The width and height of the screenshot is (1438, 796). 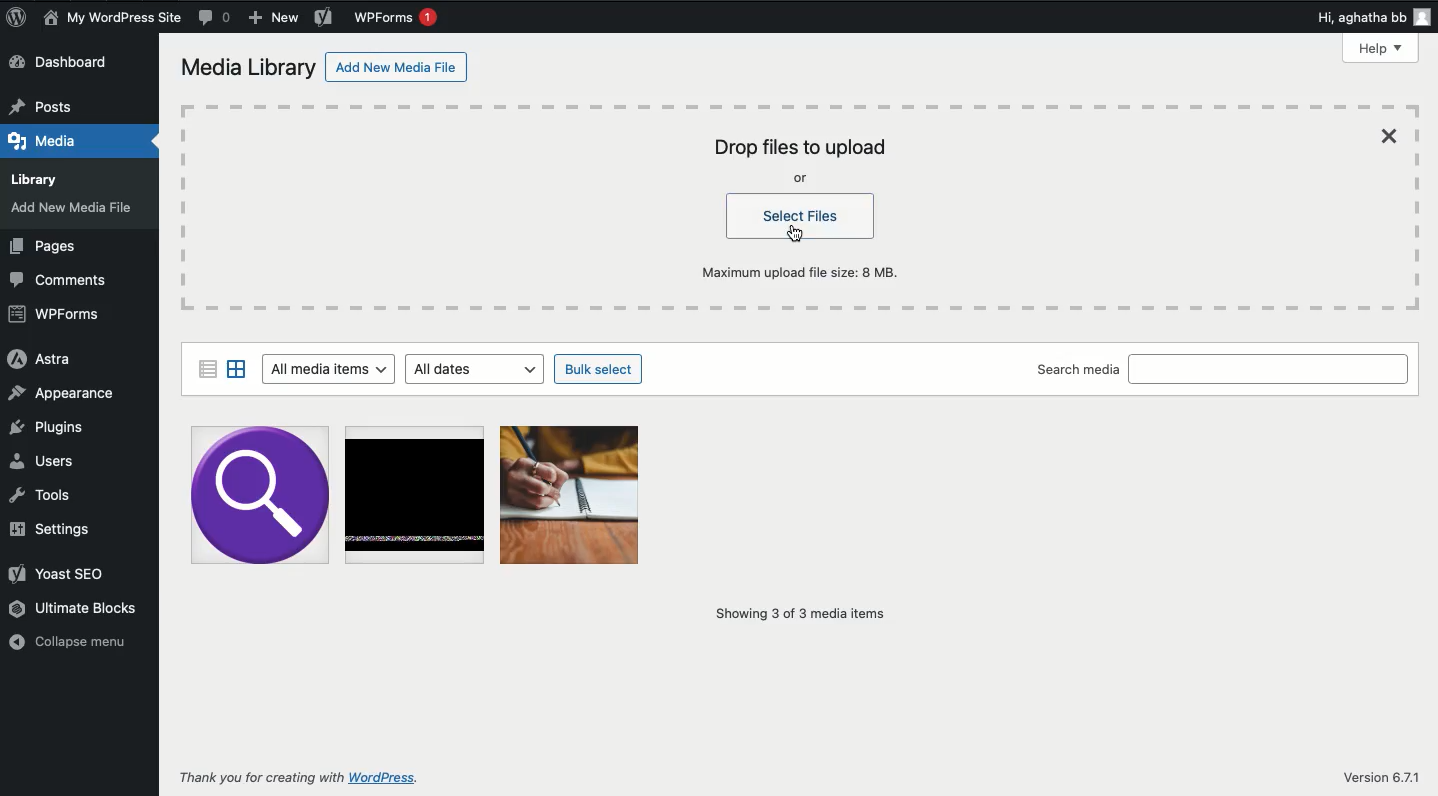 What do you see at coordinates (1382, 48) in the screenshot?
I see `Help` at bounding box center [1382, 48].